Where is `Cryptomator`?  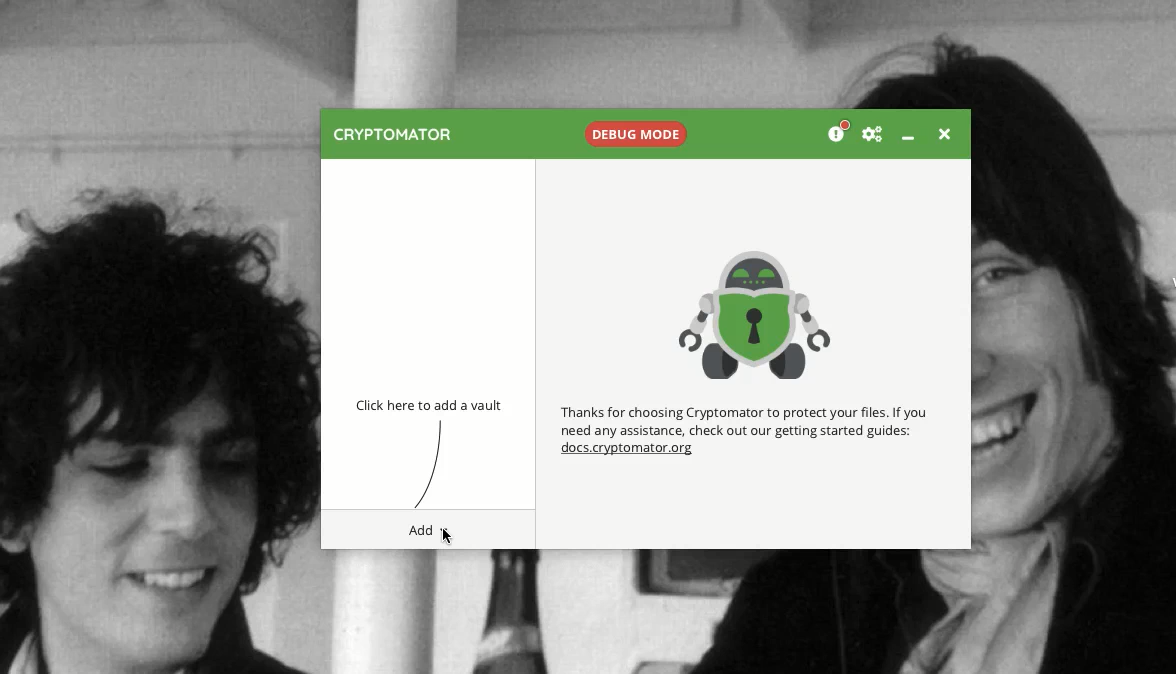
Cryptomator is located at coordinates (391, 136).